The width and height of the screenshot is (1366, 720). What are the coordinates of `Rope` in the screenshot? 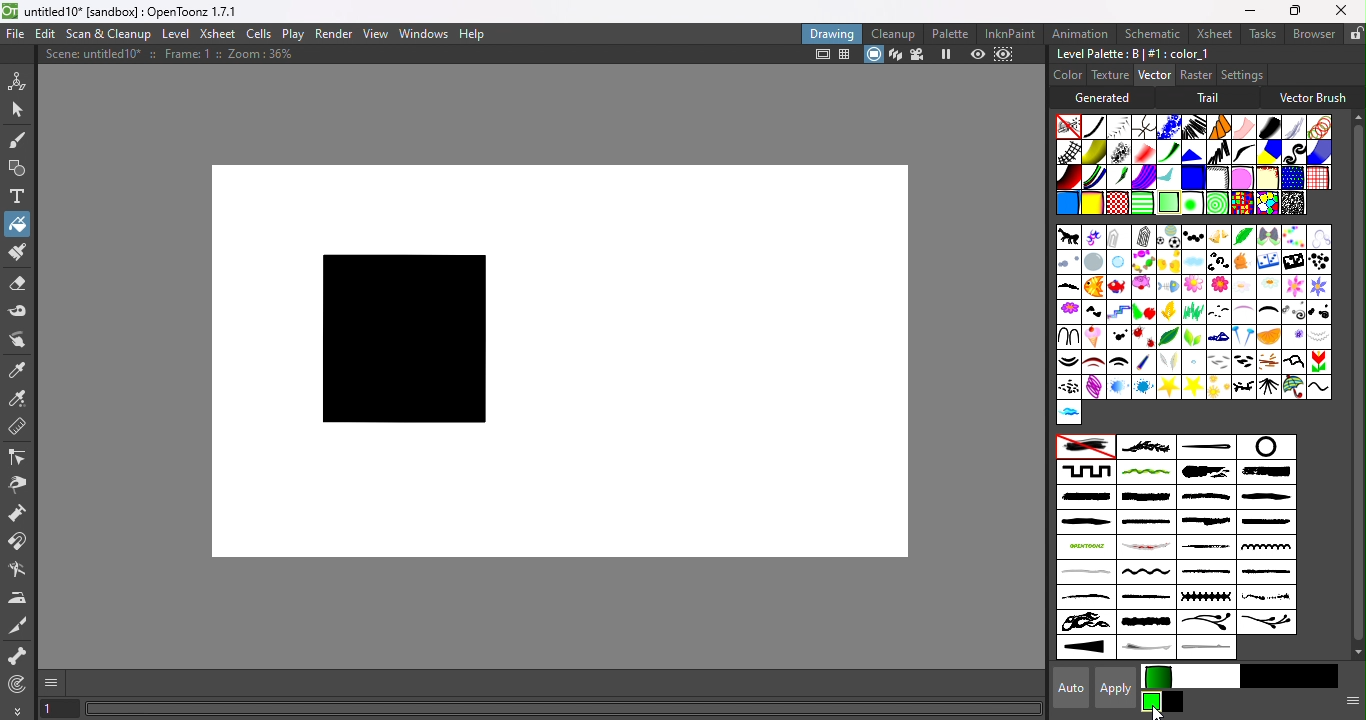 It's located at (1220, 127).